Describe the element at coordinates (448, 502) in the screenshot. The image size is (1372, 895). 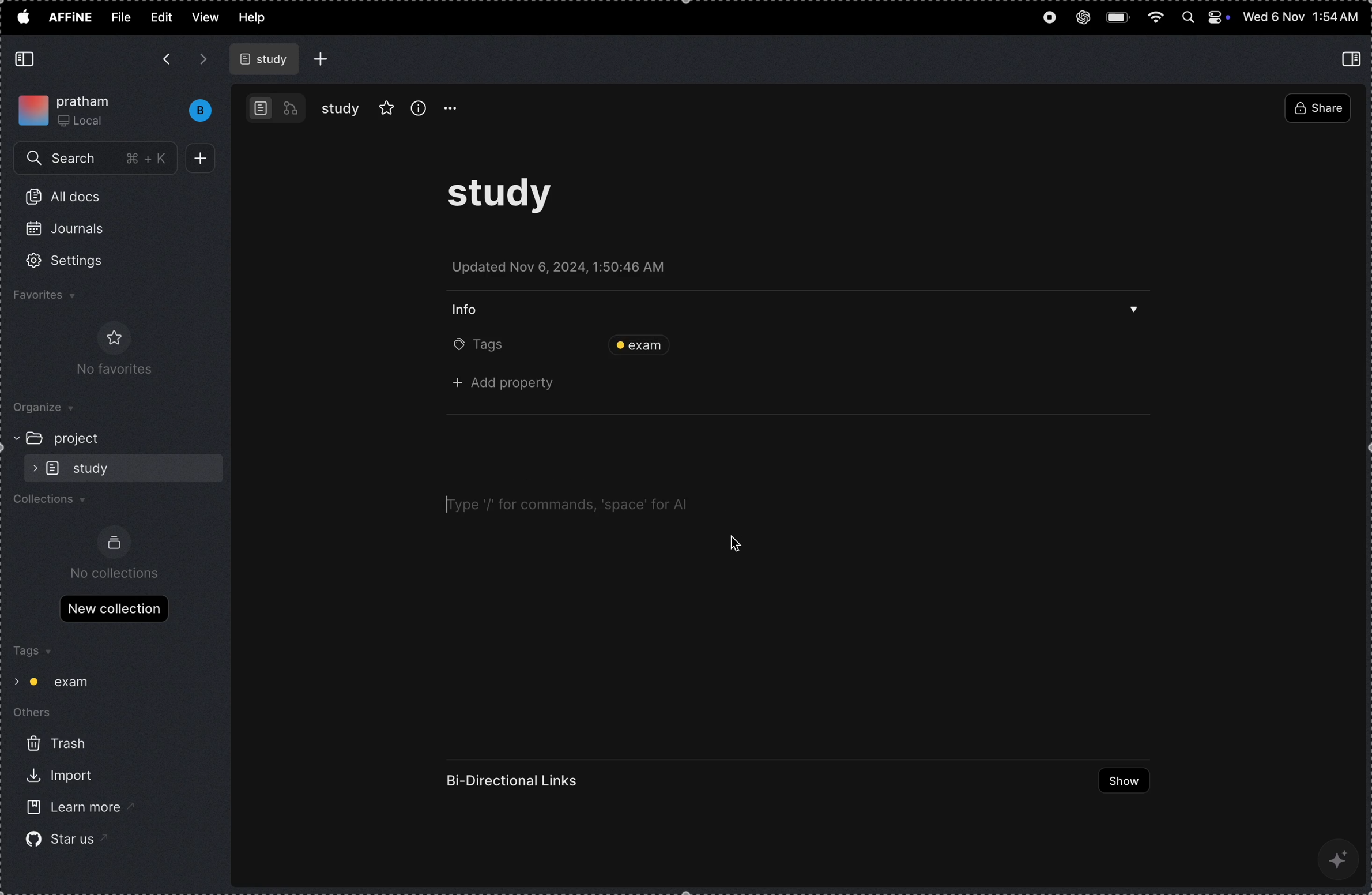
I see `cursor` at that location.